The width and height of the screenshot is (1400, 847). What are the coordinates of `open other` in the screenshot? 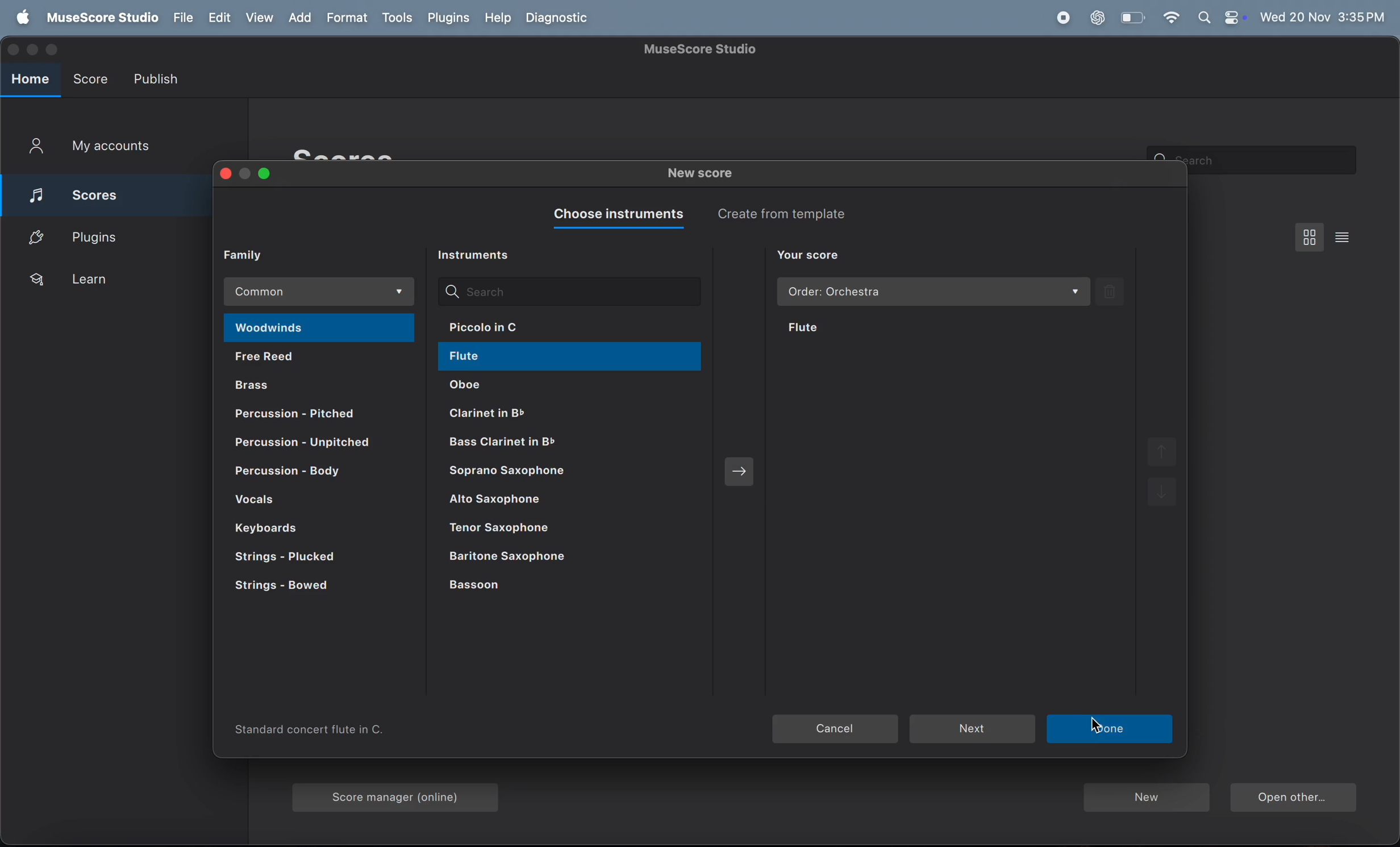 It's located at (1293, 799).